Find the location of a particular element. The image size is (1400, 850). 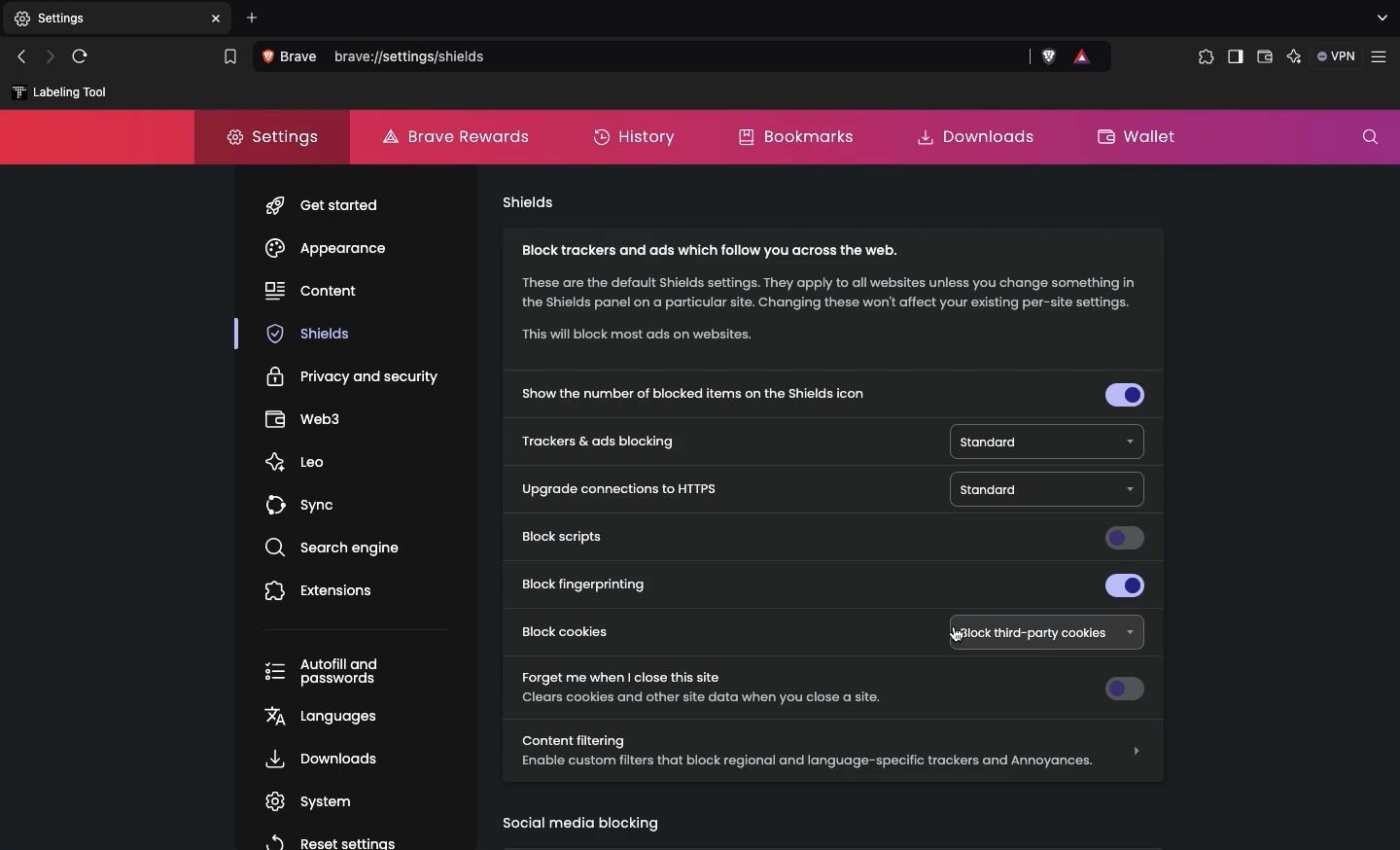

Wallet is located at coordinates (1139, 140).